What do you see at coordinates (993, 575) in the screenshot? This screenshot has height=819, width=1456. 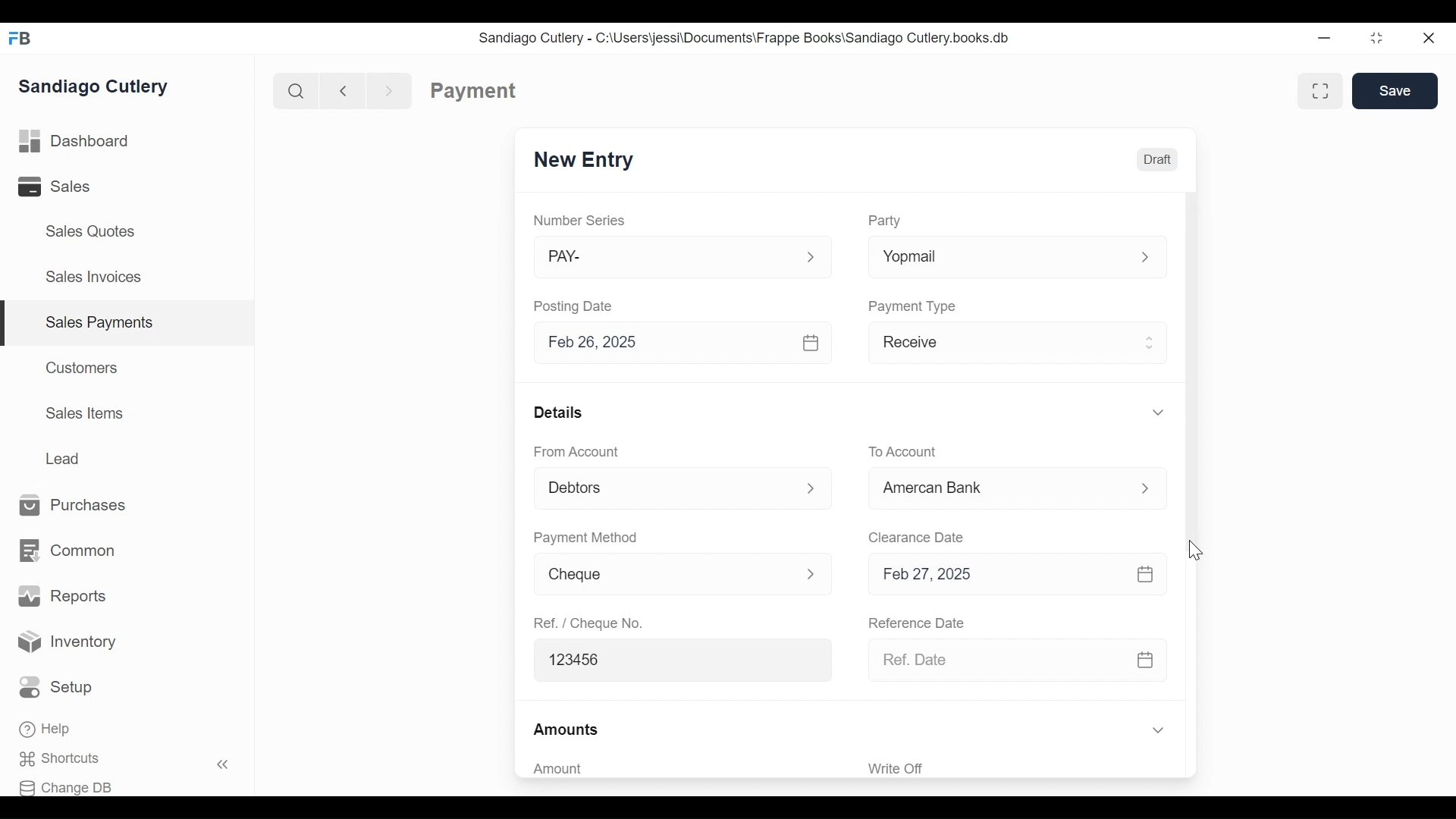 I see `Feb 27, 2025` at bounding box center [993, 575].